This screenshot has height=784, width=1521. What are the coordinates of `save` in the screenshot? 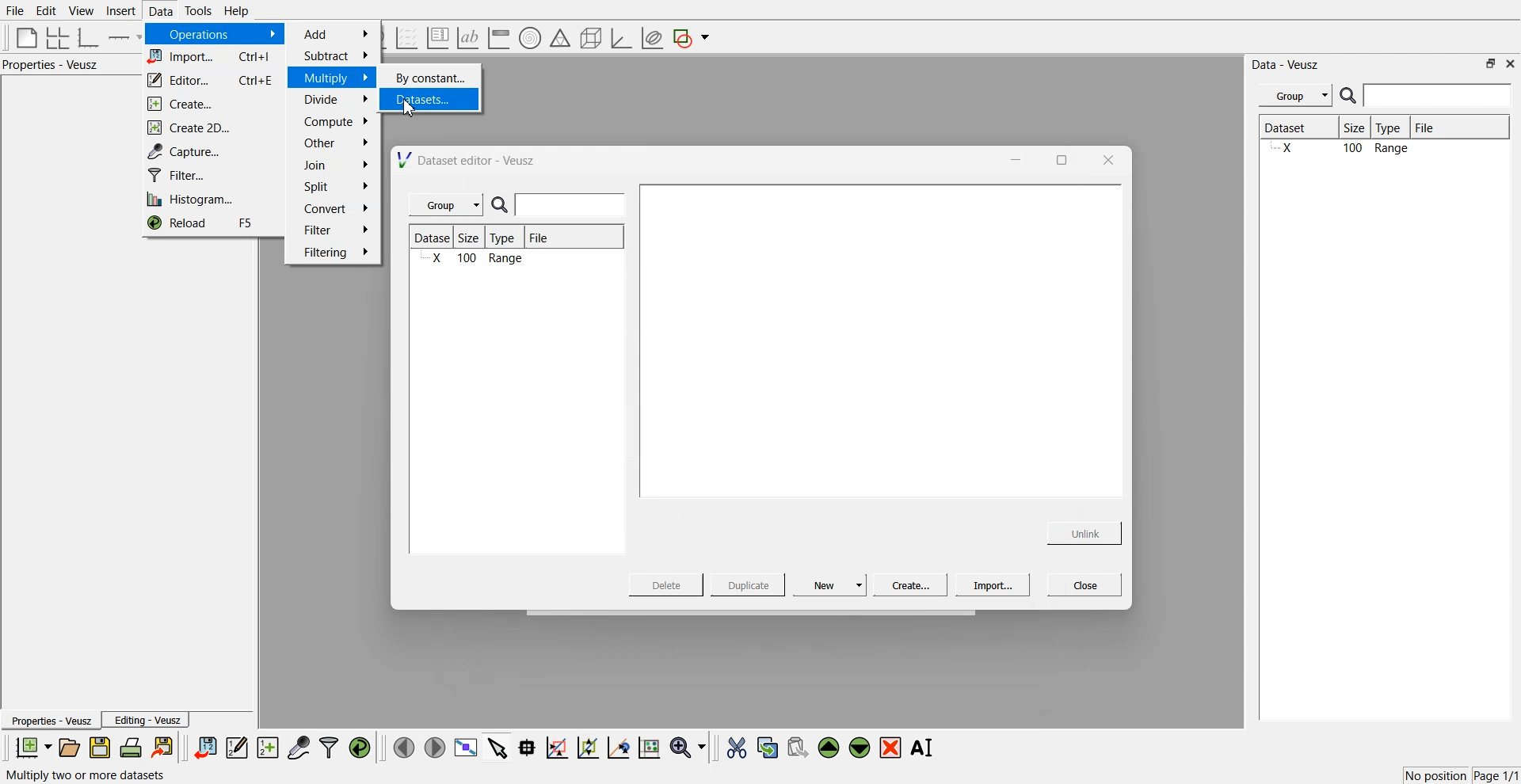 It's located at (102, 748).